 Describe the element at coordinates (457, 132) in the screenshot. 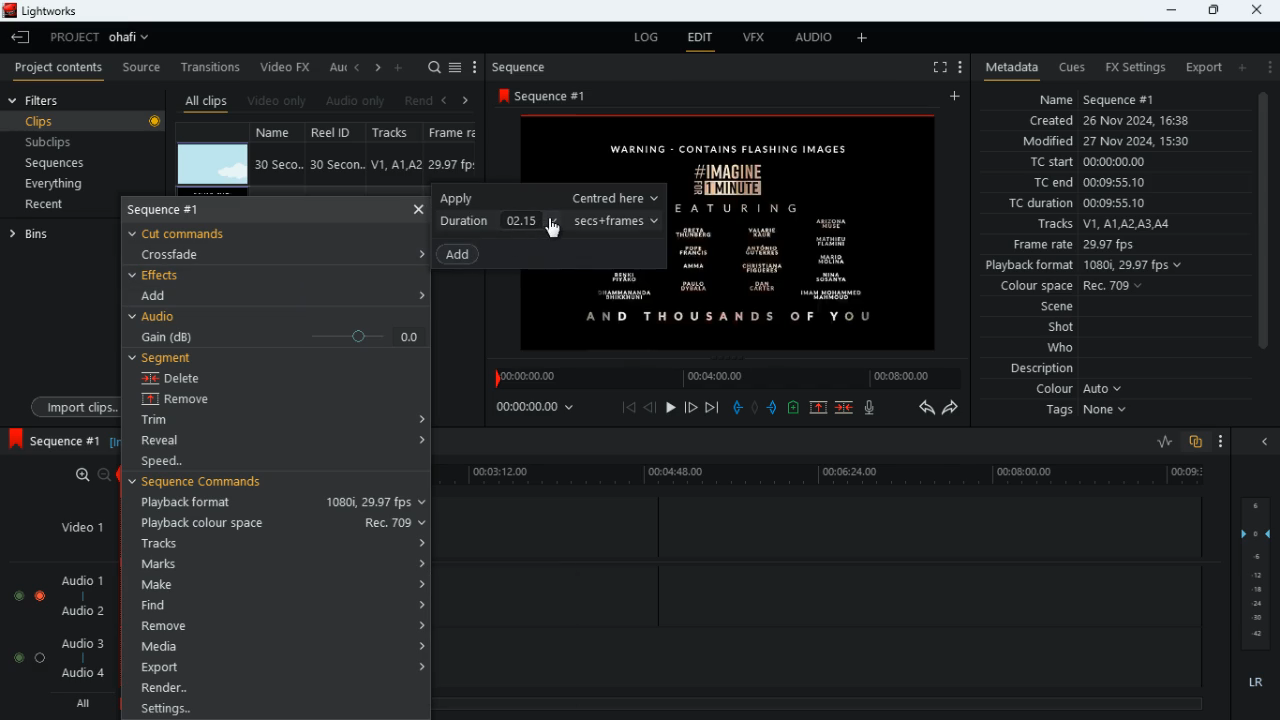

I see `fps` at that location.